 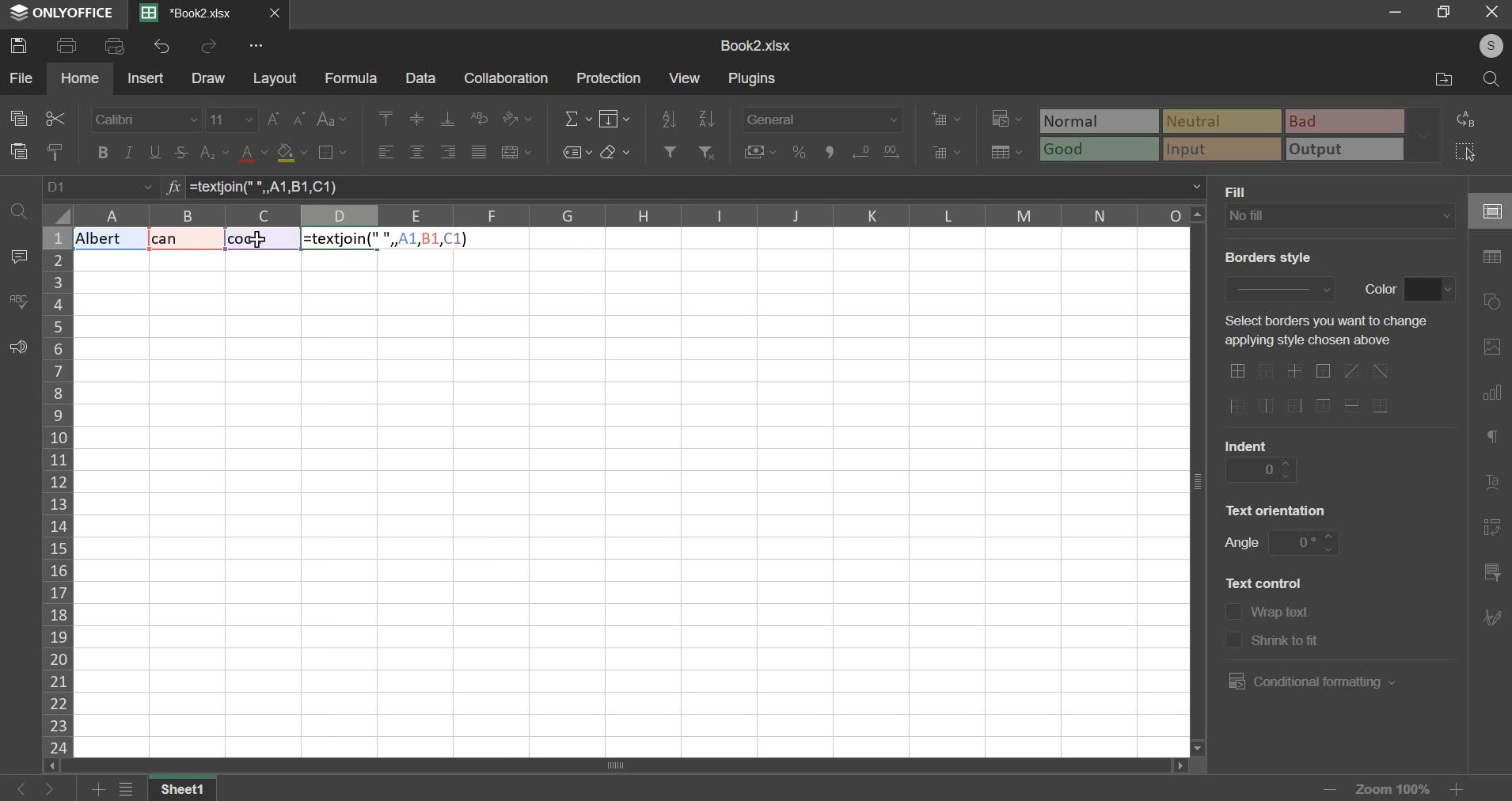 I want to click on italic, so click(x=128, y=152).